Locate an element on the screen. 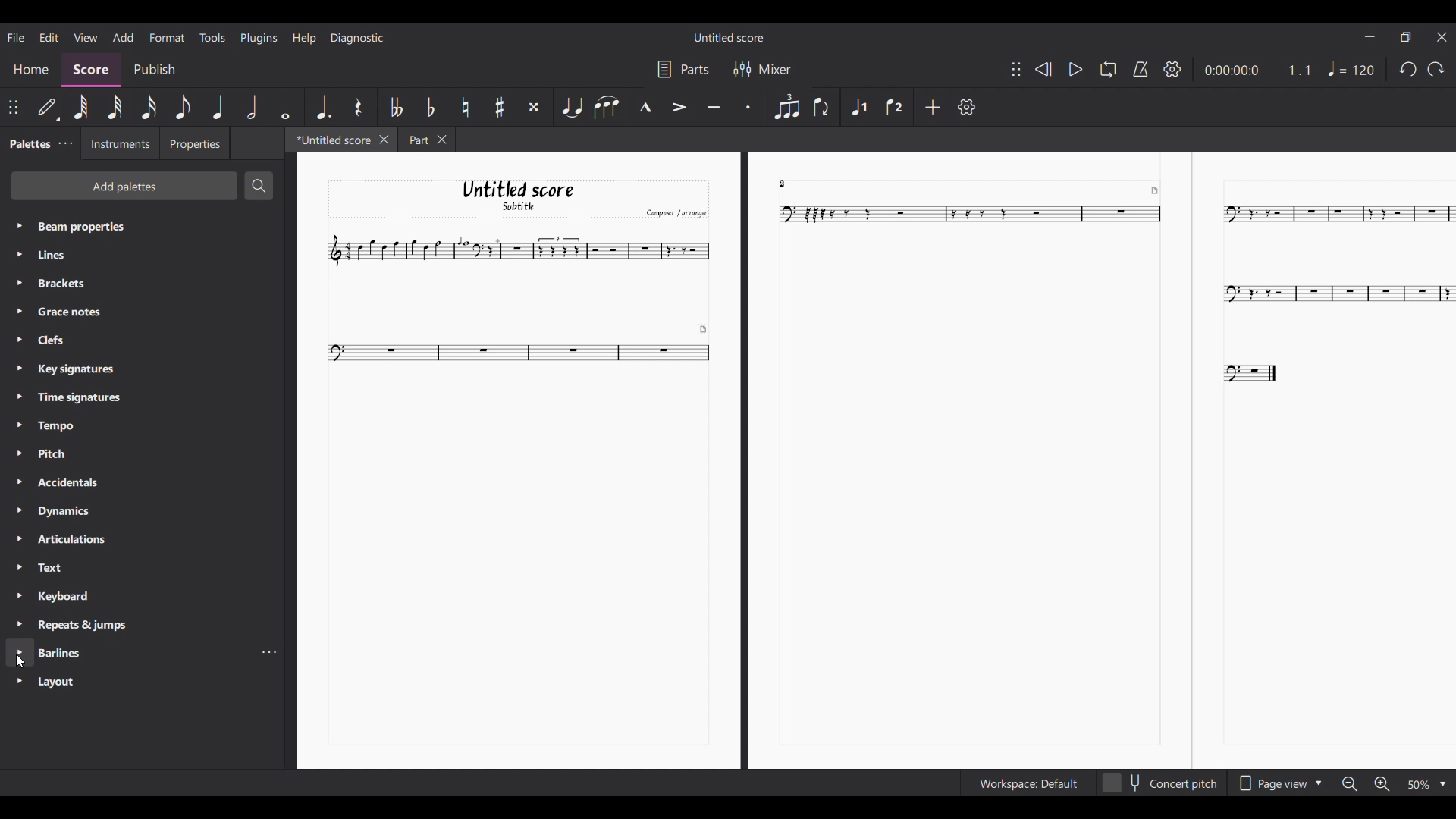  Palette settings is located at coordinates (65, 143).